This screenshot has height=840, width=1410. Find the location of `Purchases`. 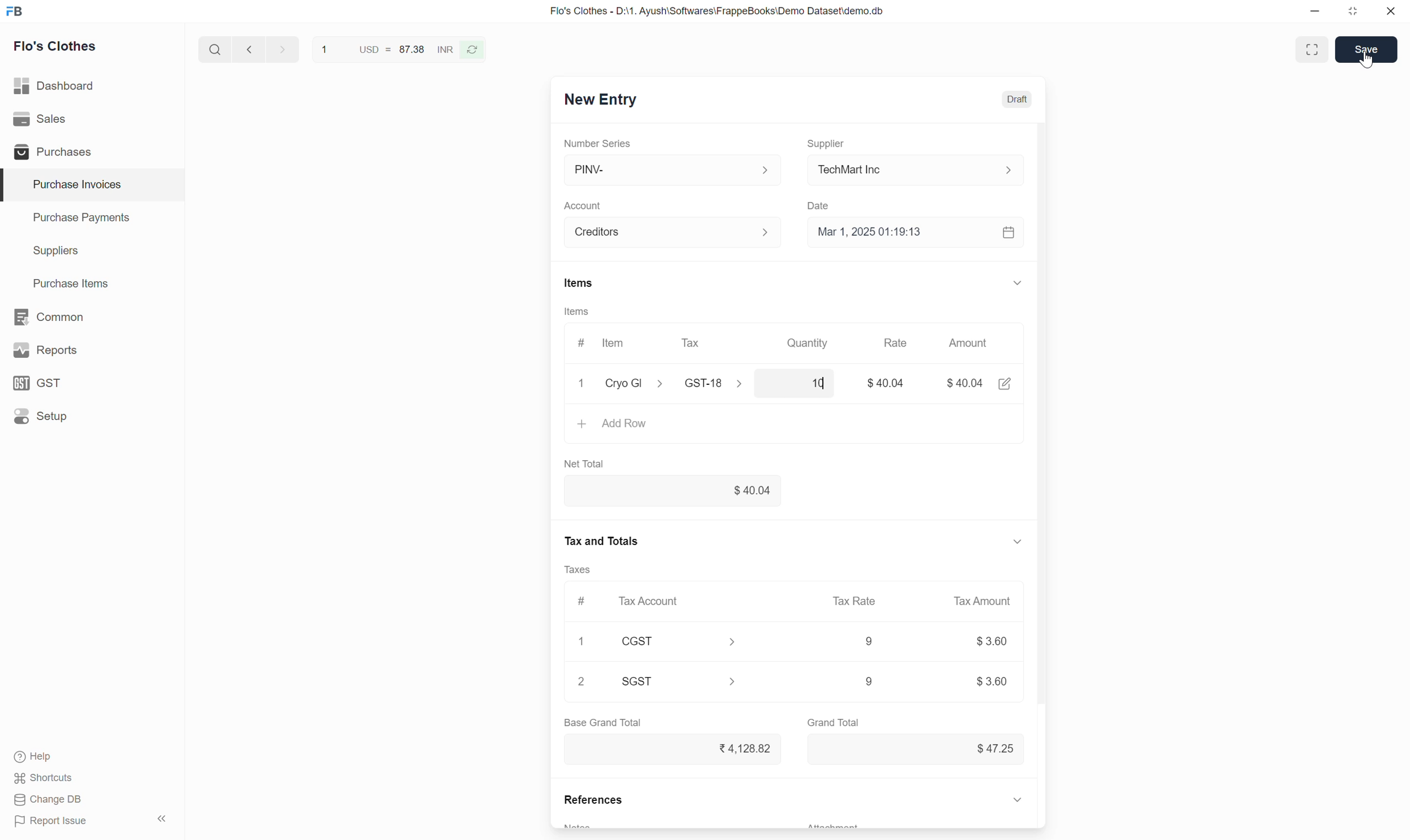

Purchases is located at coordinates (50, 152).